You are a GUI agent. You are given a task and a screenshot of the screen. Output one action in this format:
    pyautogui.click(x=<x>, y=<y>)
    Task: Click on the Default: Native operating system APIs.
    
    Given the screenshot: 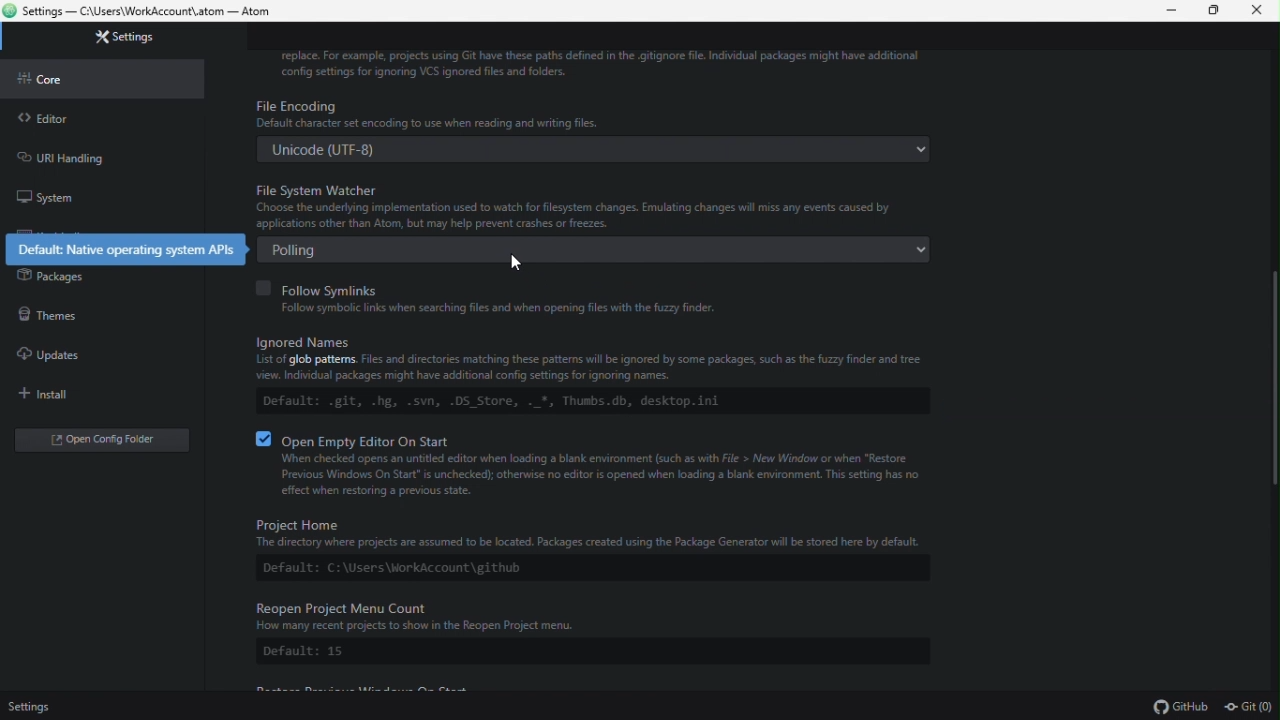 What is the action you would take?
    pyautogui.click(x=121, y=248)
    